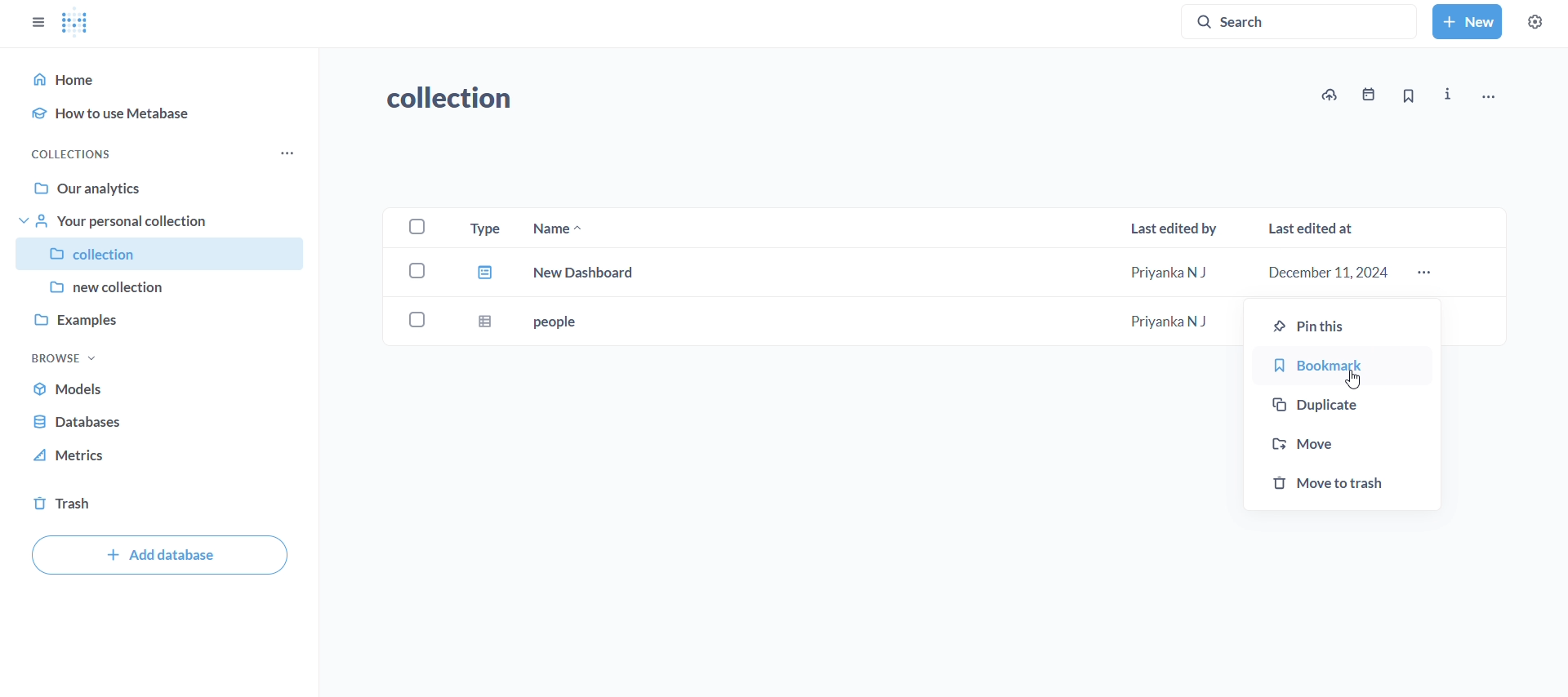 This screenshot has height=697, width=1568. I want to click on more info, so click(1449, 95).